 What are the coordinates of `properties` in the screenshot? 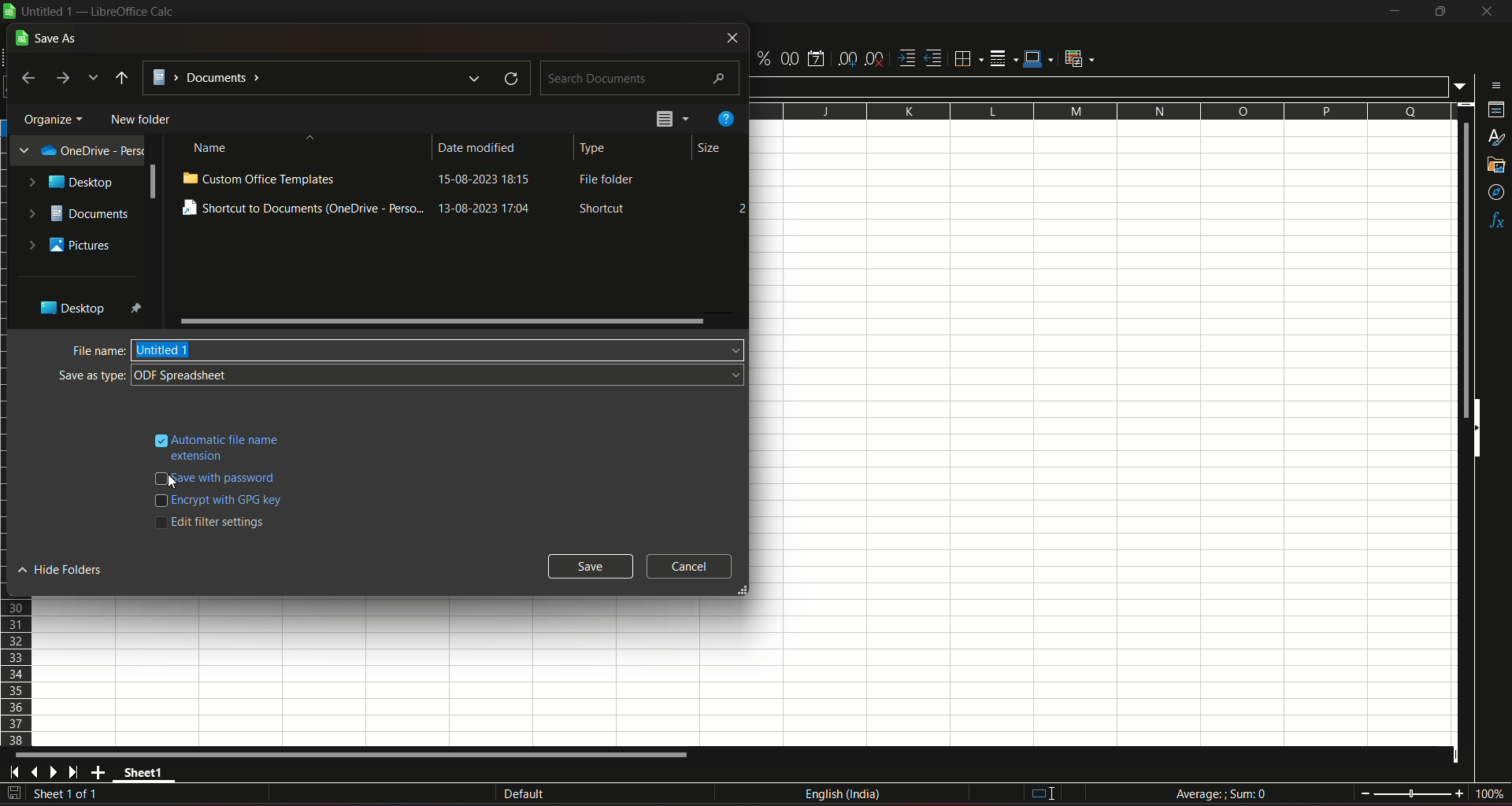 It's located at (1494, 112).